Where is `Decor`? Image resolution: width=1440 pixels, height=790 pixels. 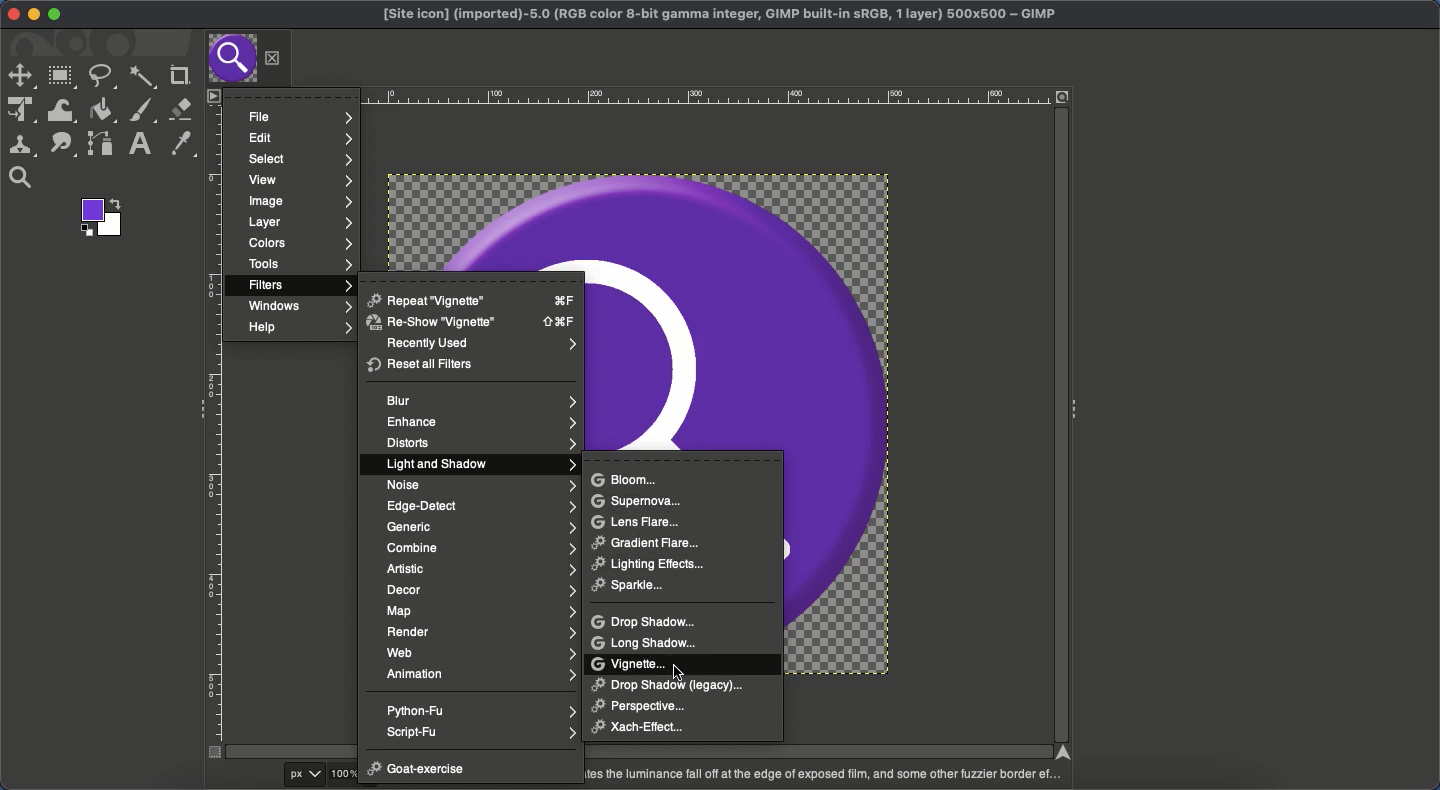 Decor is located at coordinates (481, 590).